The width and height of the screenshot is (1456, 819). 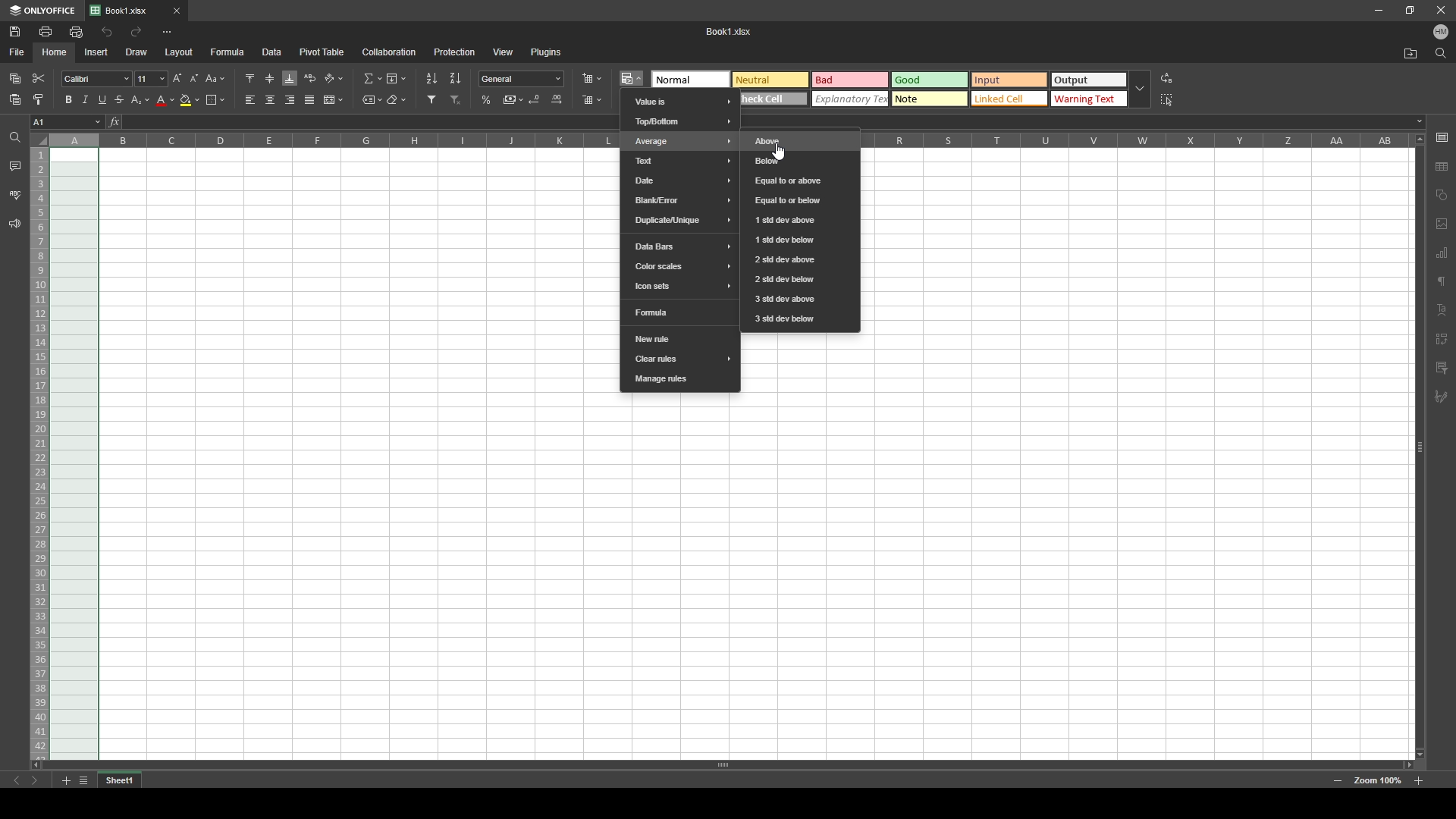 I want to click on pivot table, so click(x=322, y=51).